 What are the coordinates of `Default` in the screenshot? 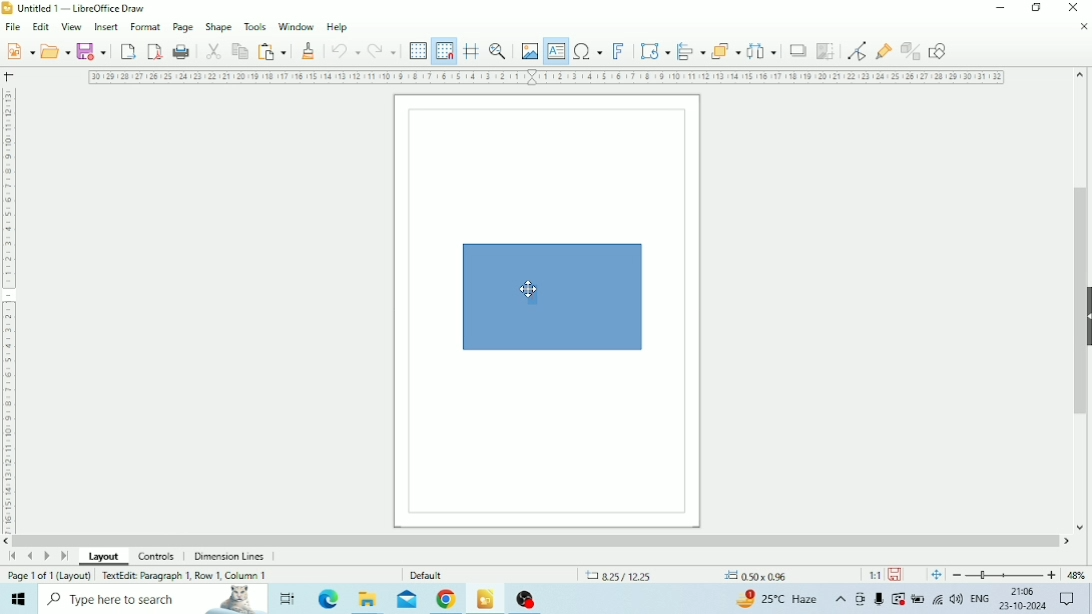 It's located at (428, 574).